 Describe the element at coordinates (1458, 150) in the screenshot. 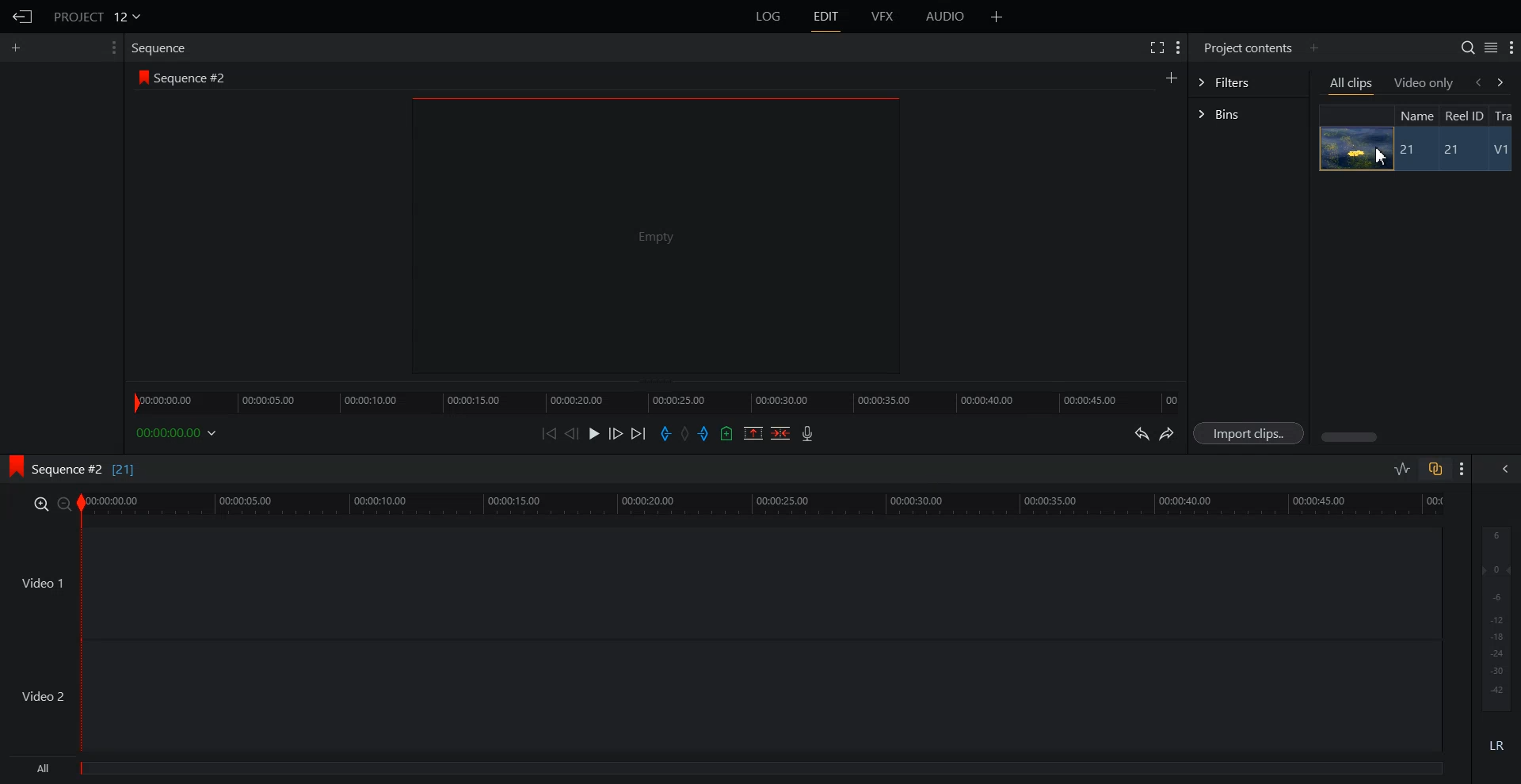

I see `21` at that location.